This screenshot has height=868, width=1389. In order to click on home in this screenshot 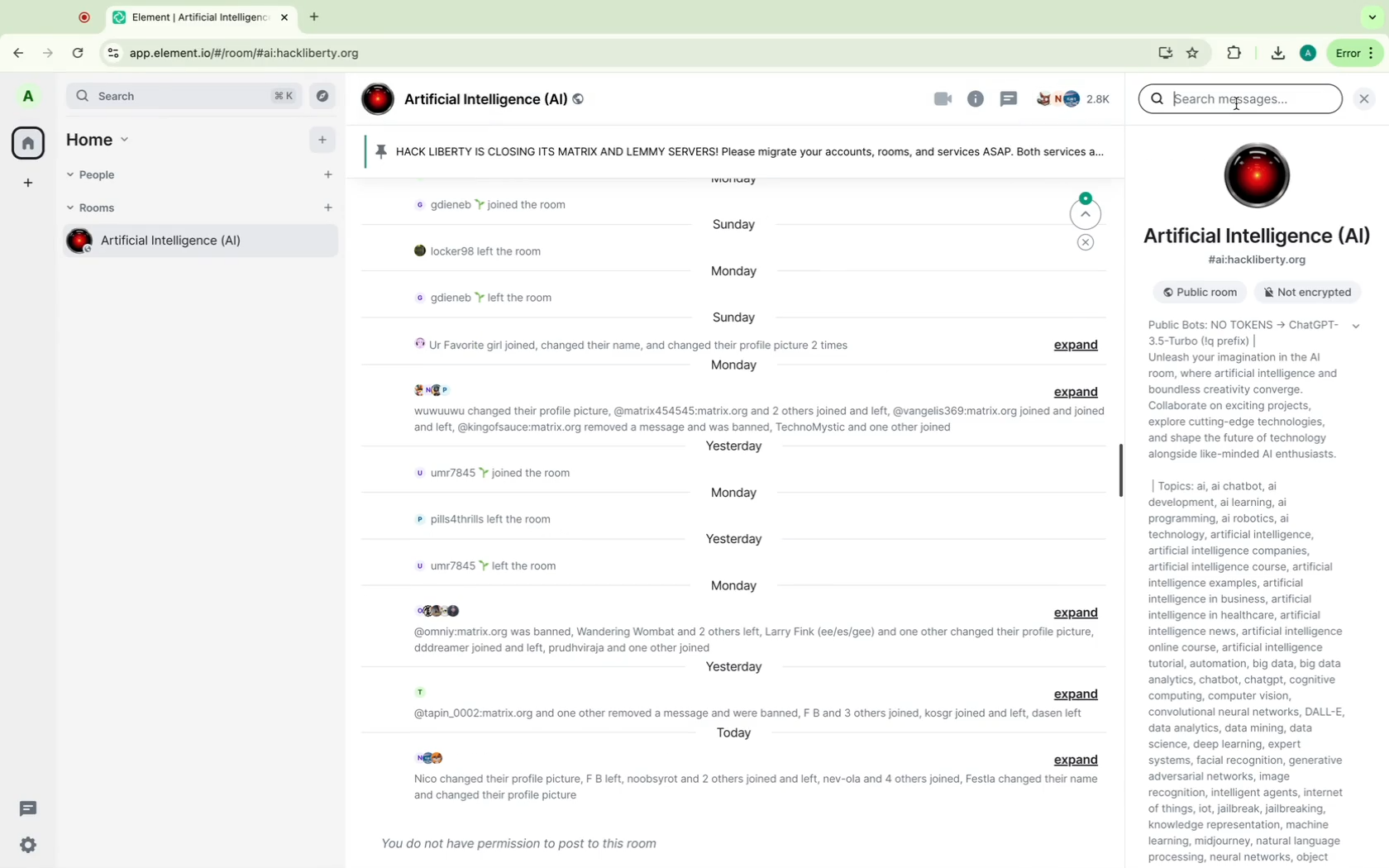, I will do `click(27, 142)`.